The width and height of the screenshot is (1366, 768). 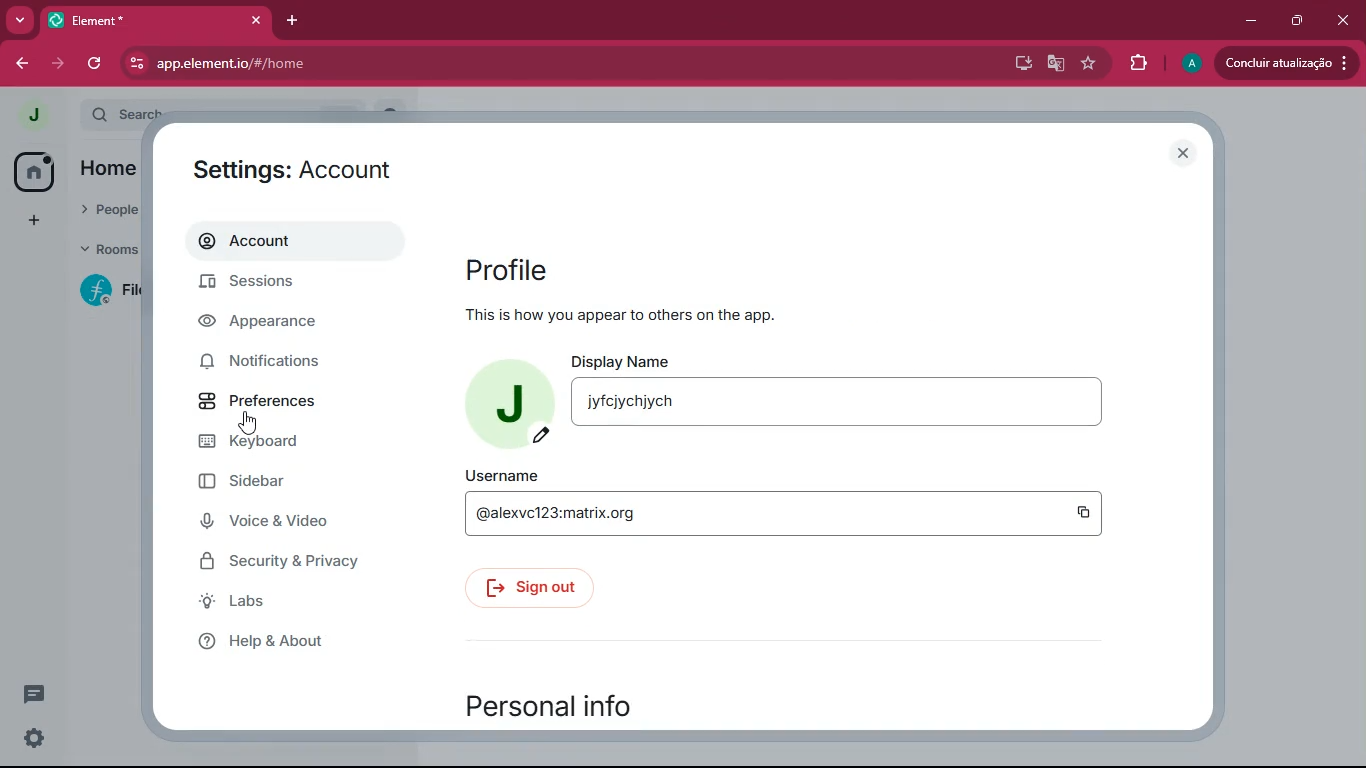 I want to click on conduir atualizacao, so click(x=1285, y=63).